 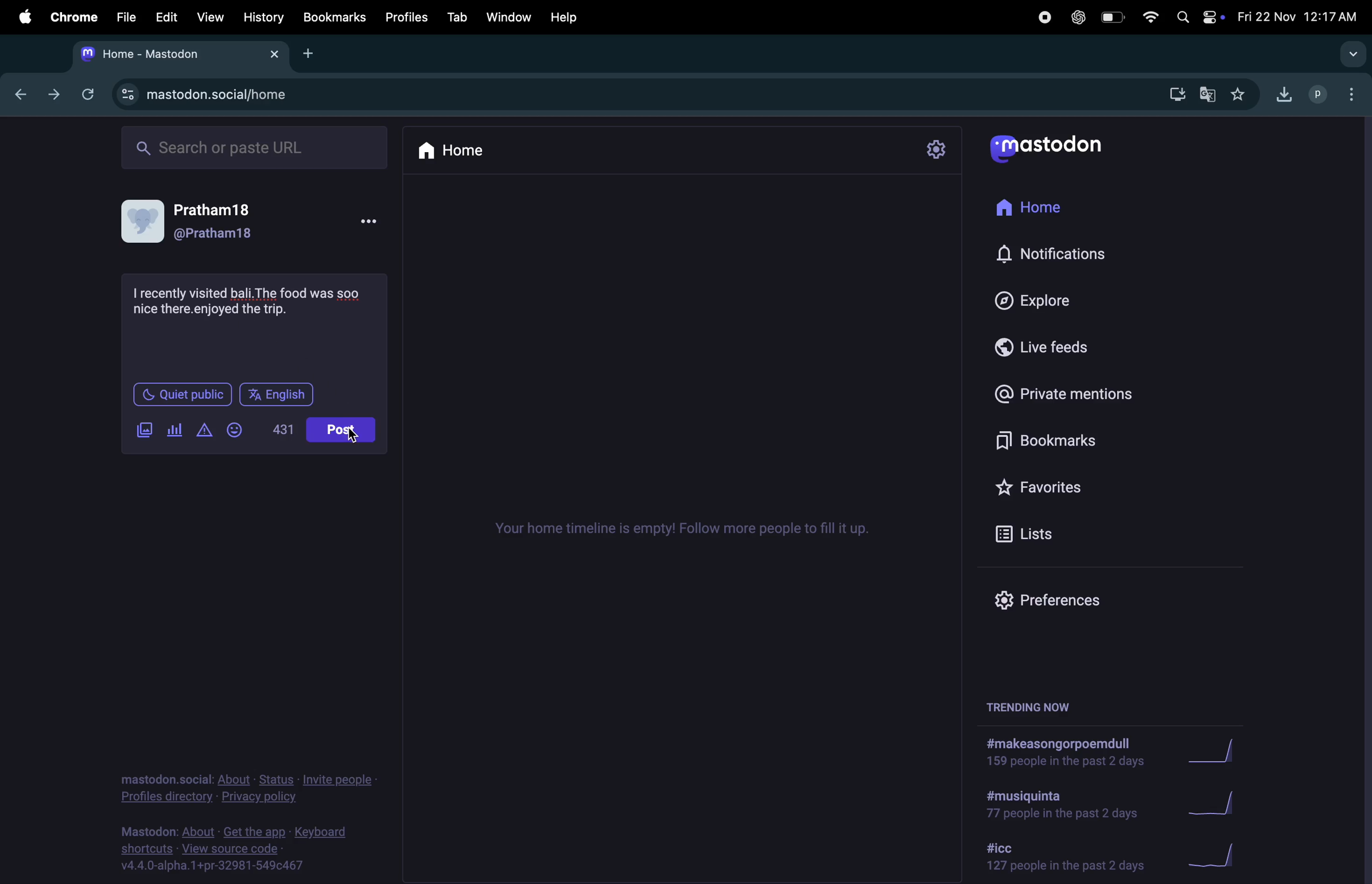 I want to click on home, so click(x=449, y=150).